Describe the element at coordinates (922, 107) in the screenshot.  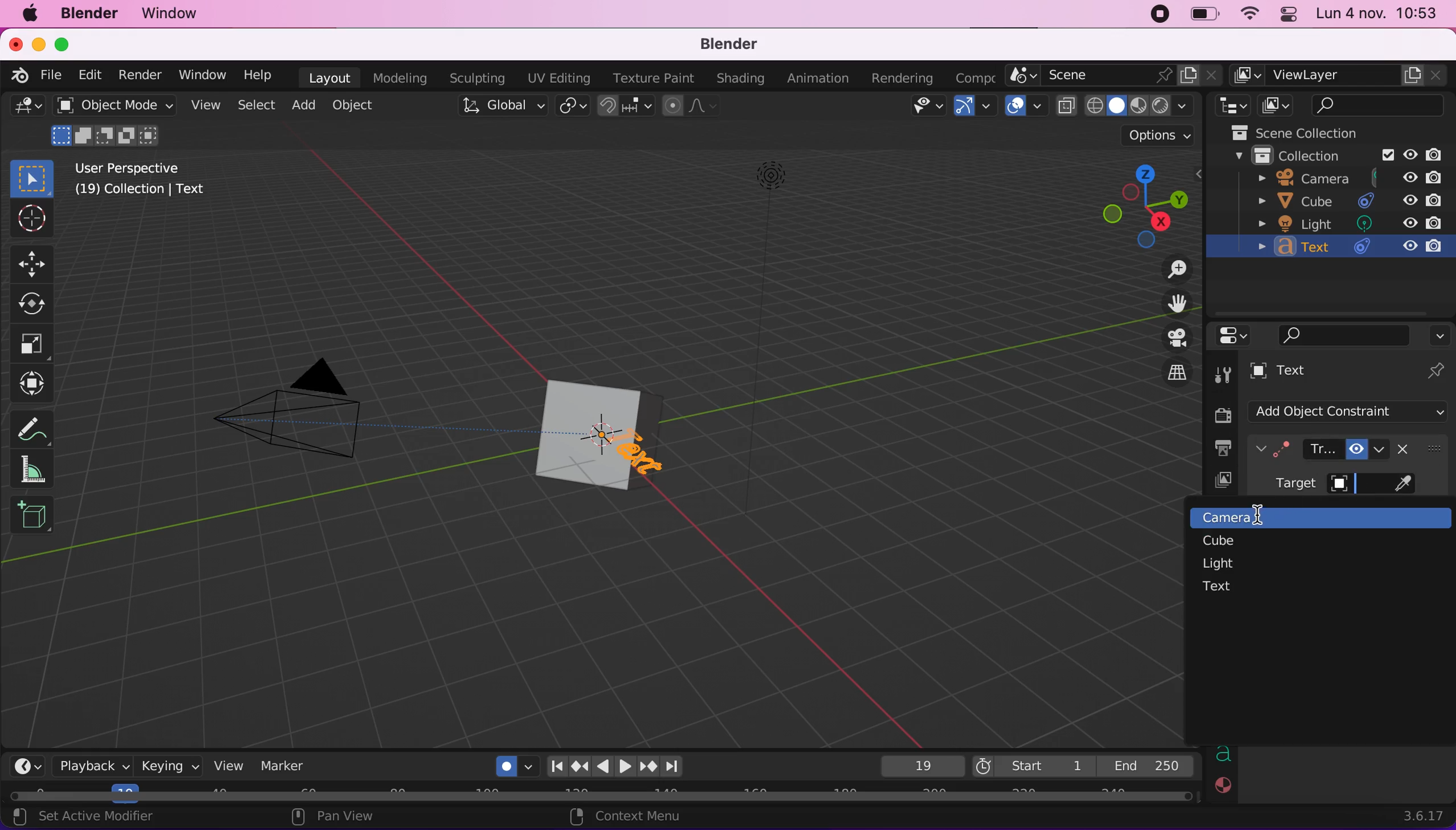
I see `view object types` at that location.